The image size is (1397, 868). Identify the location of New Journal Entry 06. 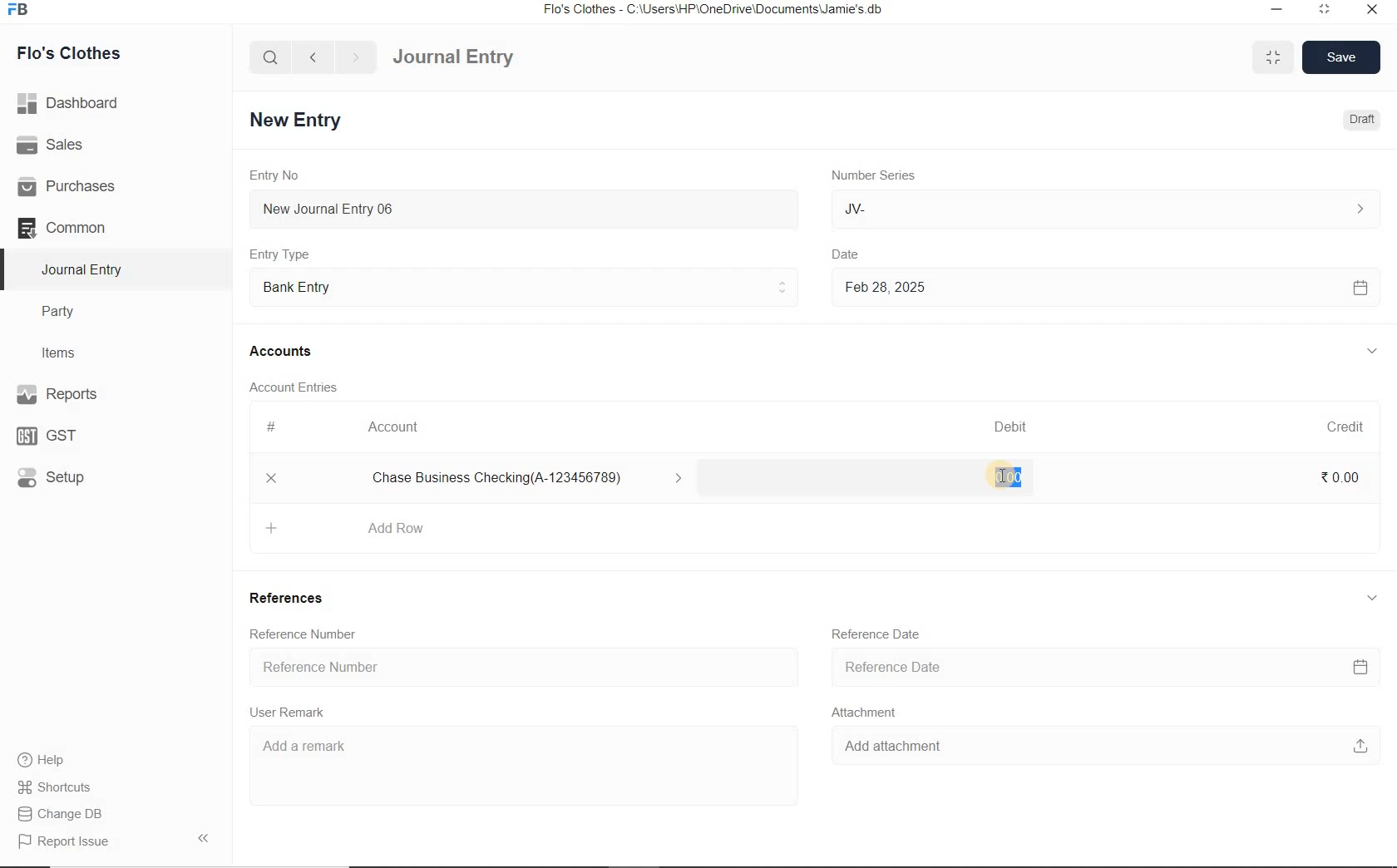
(524, 207).